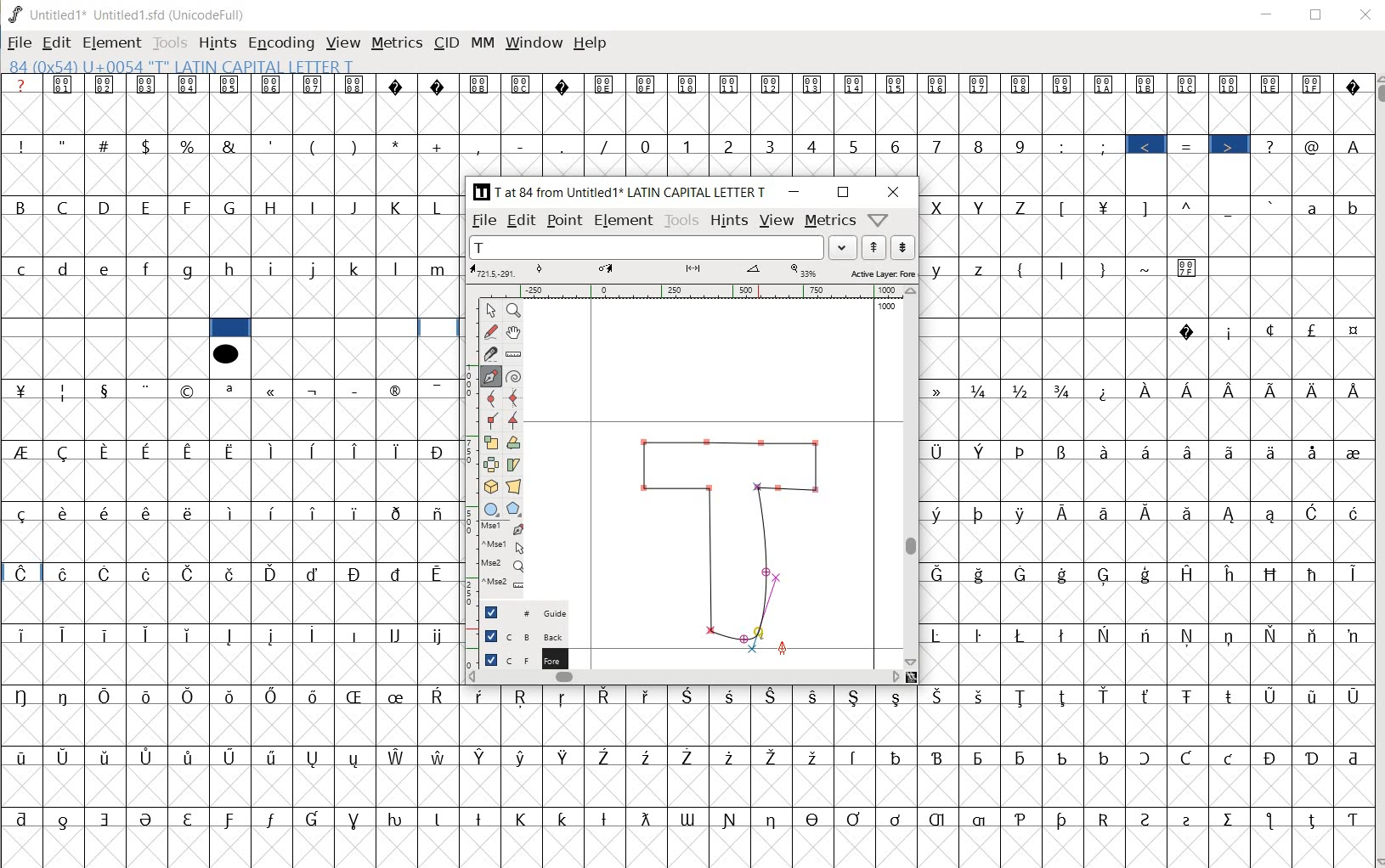  I want to click on Symbol, so click(815, 817).